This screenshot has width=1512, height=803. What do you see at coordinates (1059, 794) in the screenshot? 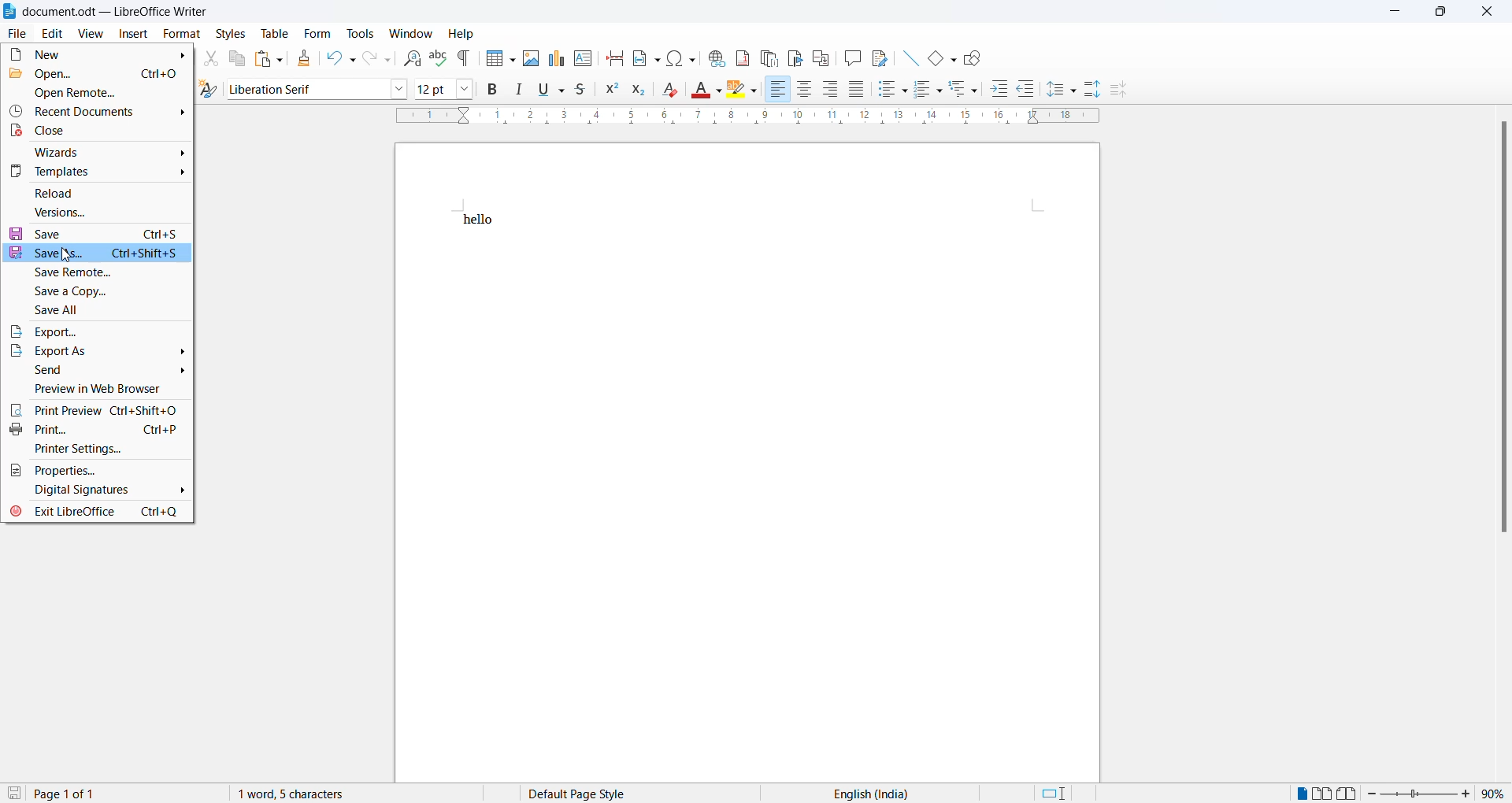
I see `standard selection` at bounding box center [1059, 794].